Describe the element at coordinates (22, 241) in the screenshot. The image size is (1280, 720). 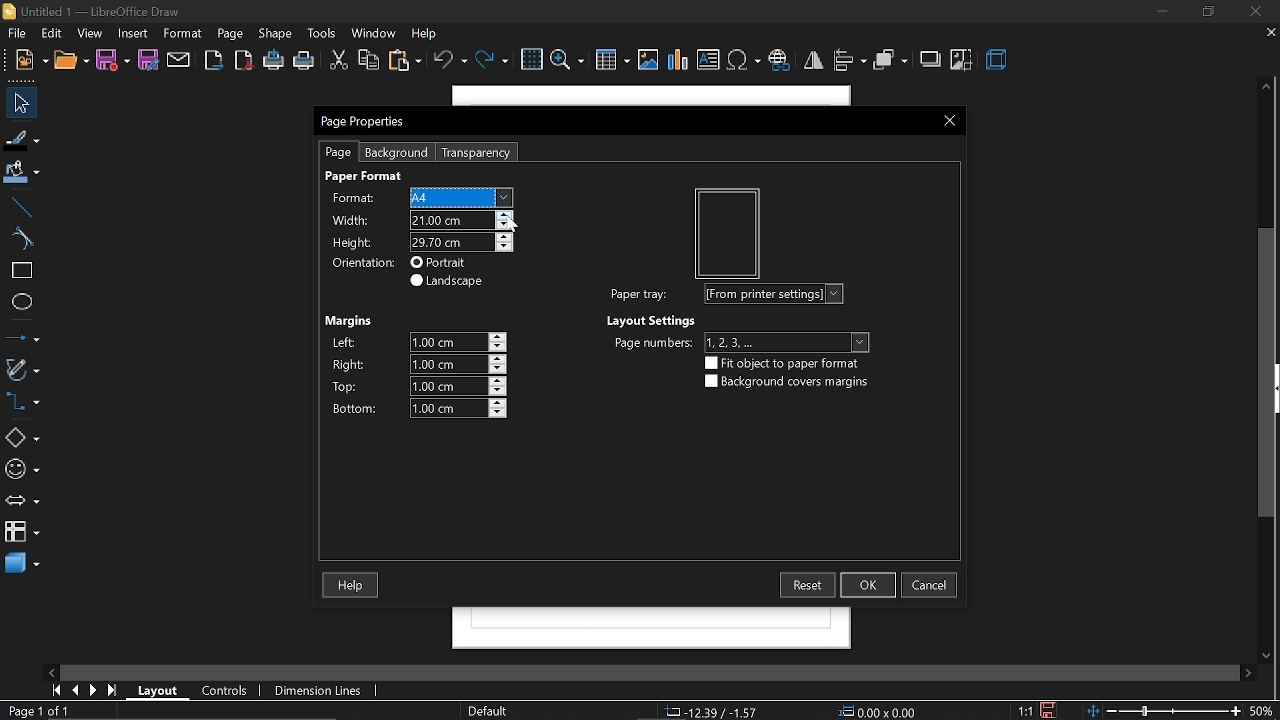
I see `curves` at that location.